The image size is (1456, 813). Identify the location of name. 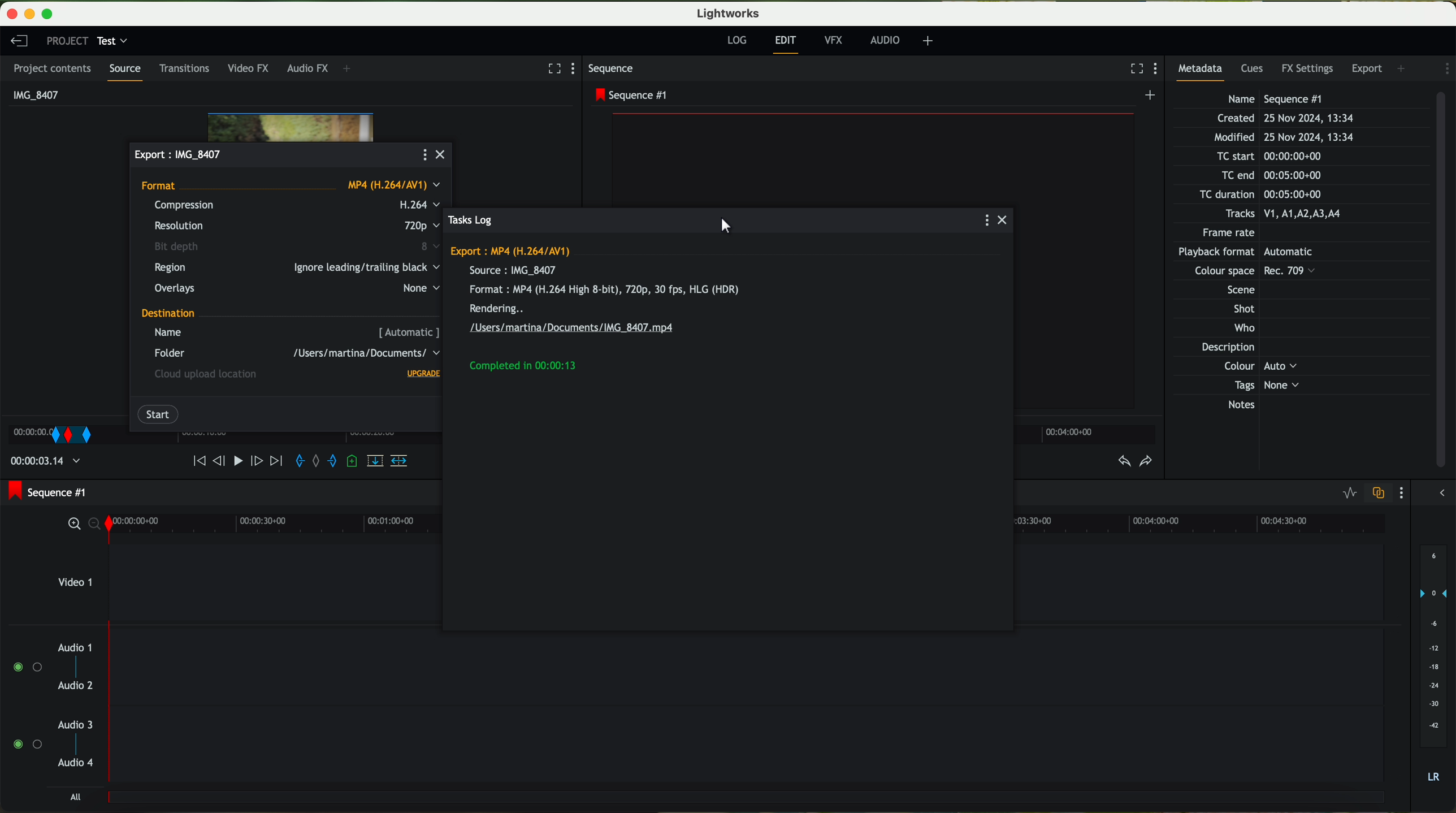
(298, 332).